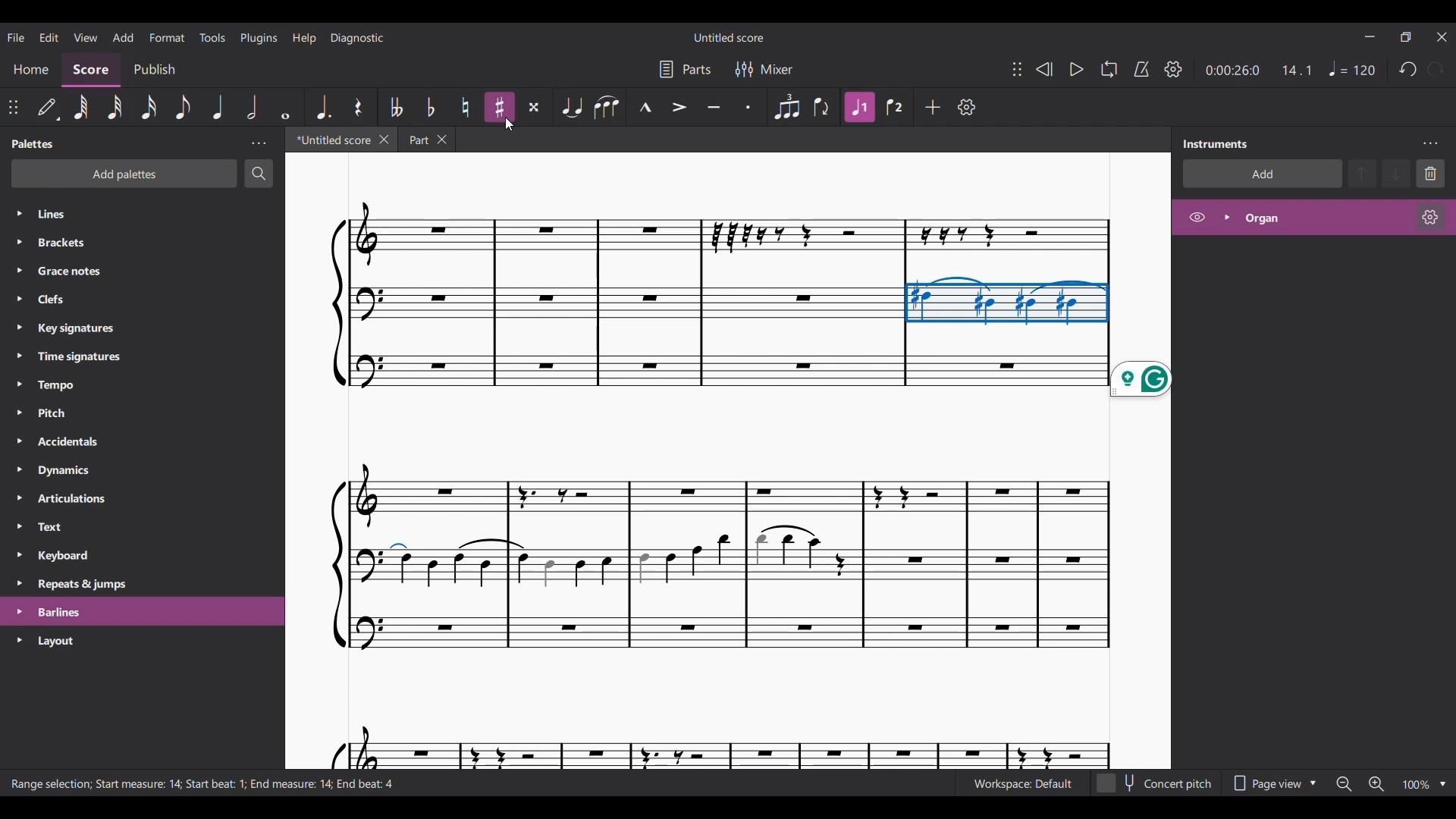 This screenshot has height=819, width=1456. I want to click on Flip direction, so click(822, 107).